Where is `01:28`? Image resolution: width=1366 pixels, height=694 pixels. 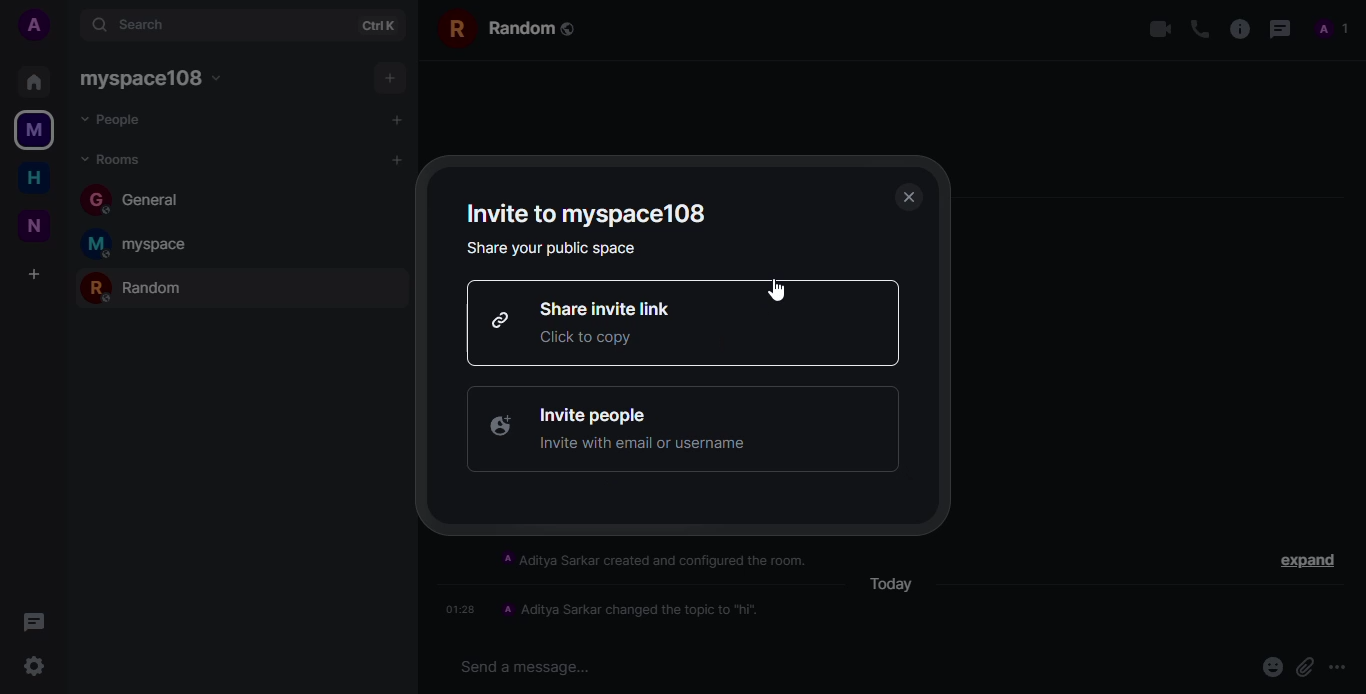 01:28 is located at coordinates (457, 609).